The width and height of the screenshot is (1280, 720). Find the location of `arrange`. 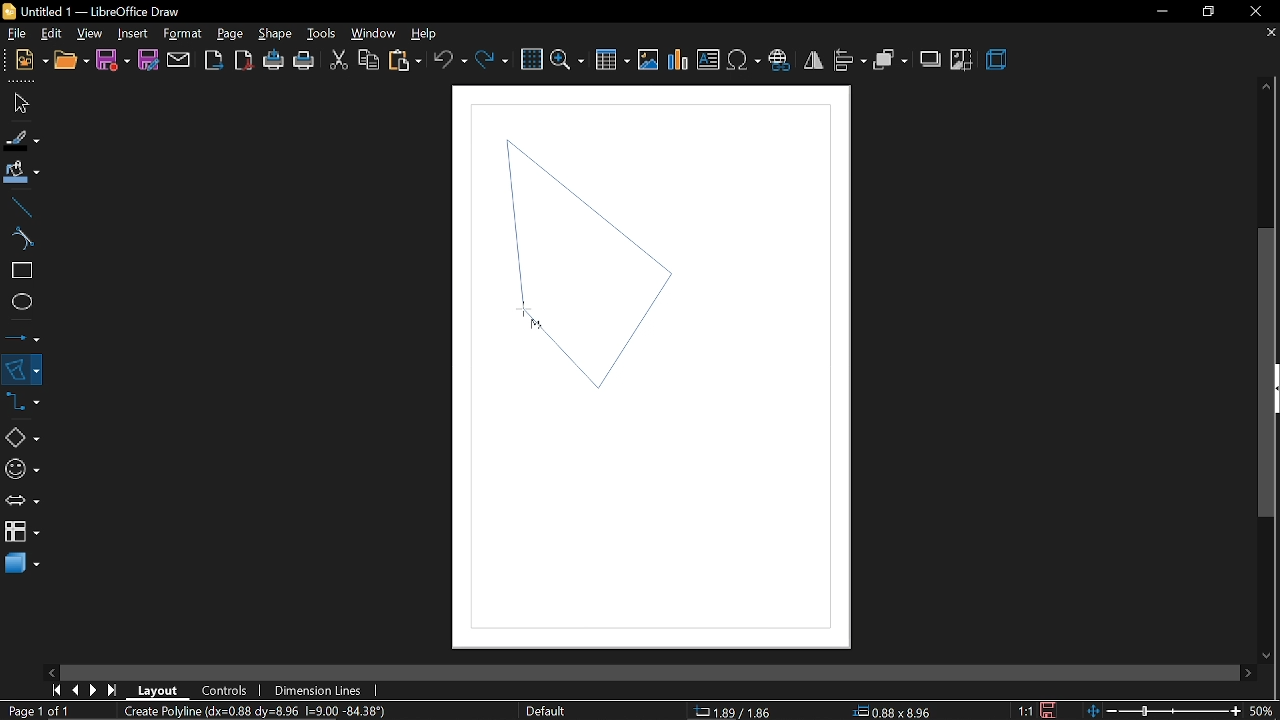

arrange is located at coordinates (890, 59).